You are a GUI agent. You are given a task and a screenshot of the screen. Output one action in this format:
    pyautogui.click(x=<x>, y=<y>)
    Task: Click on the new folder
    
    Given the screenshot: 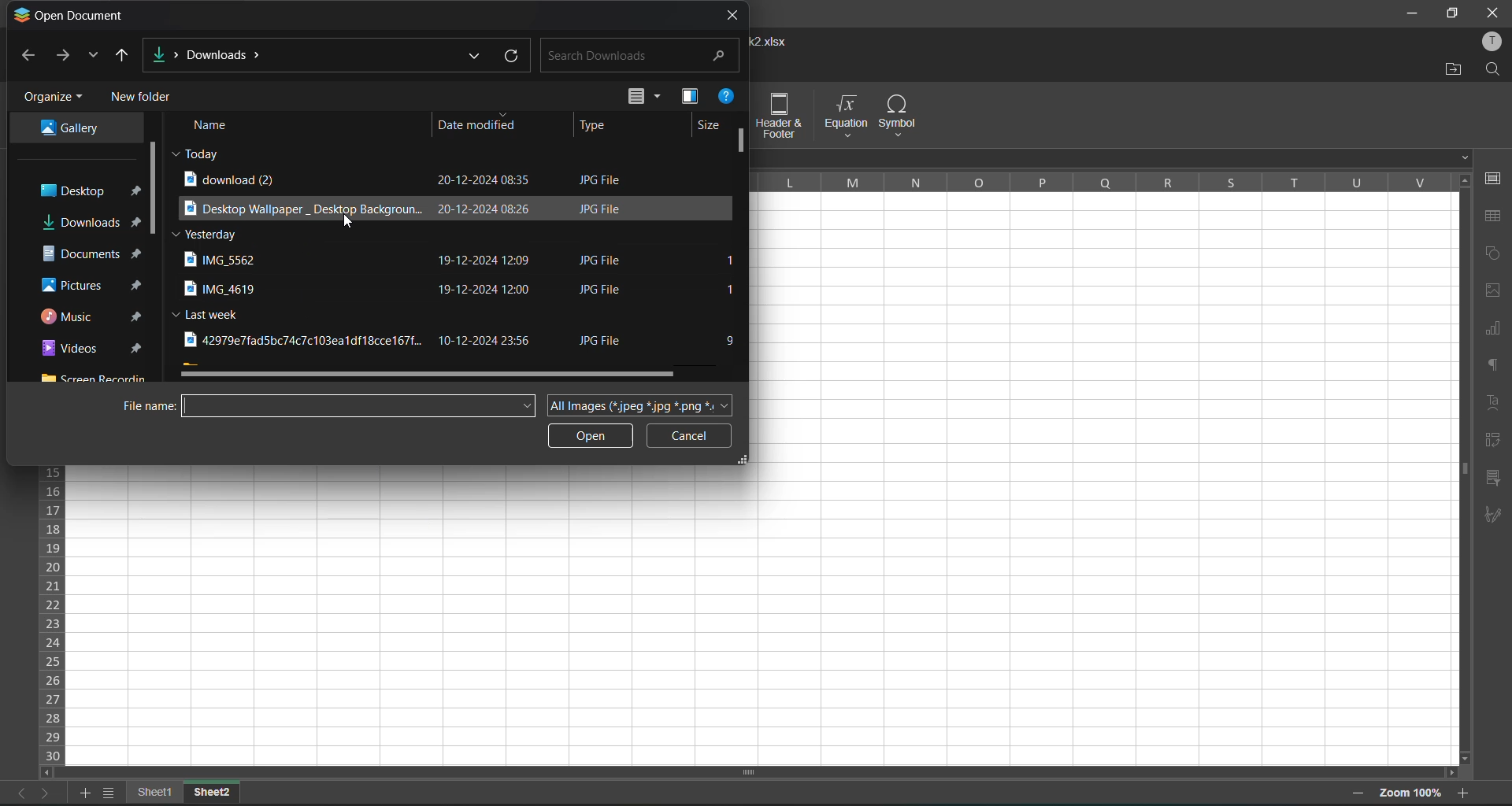 What is the action you would take?
    pyautogui.click(x=147, y=98)
    